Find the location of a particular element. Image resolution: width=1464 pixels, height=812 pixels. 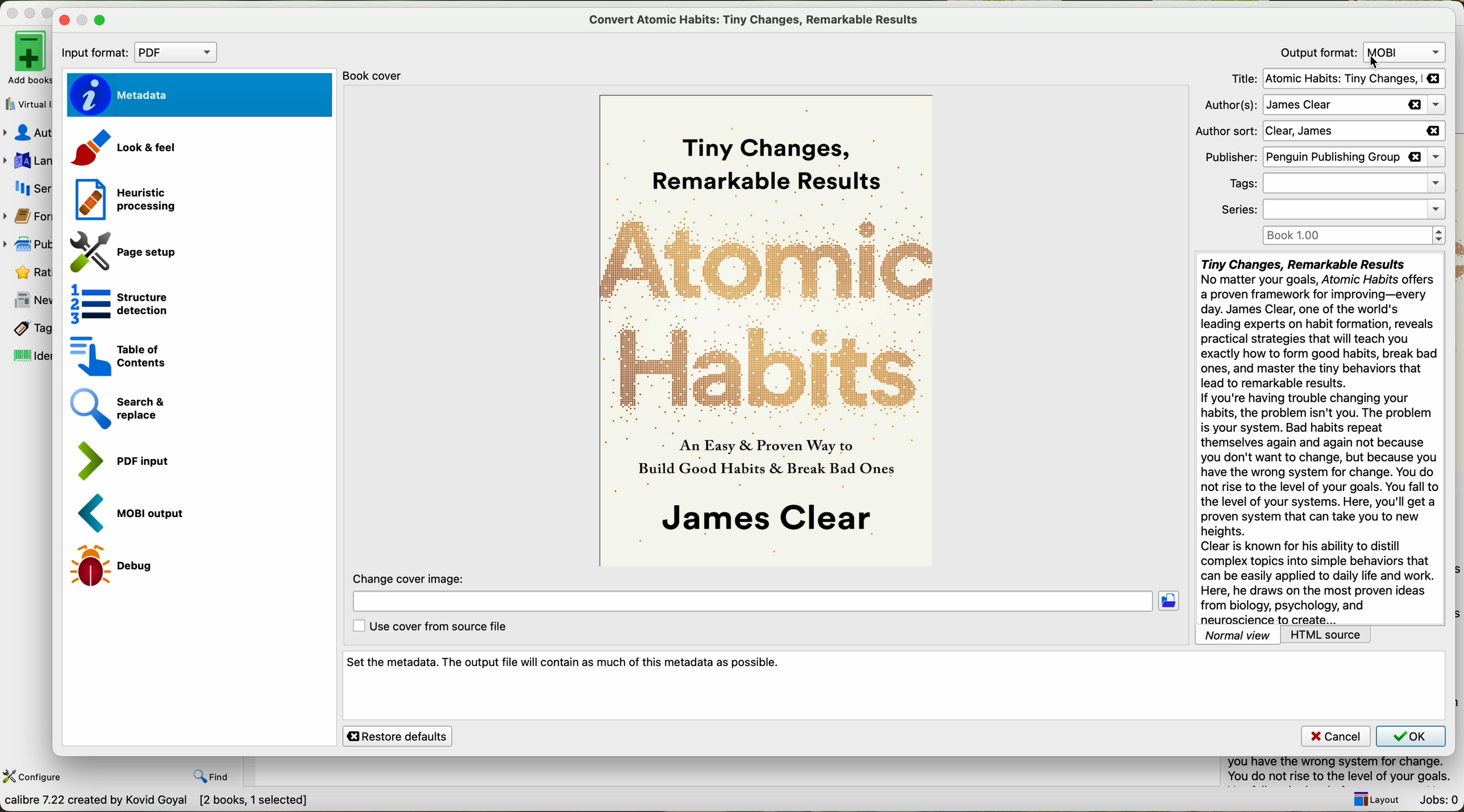

cancel is located at coordinates (1335, 735).